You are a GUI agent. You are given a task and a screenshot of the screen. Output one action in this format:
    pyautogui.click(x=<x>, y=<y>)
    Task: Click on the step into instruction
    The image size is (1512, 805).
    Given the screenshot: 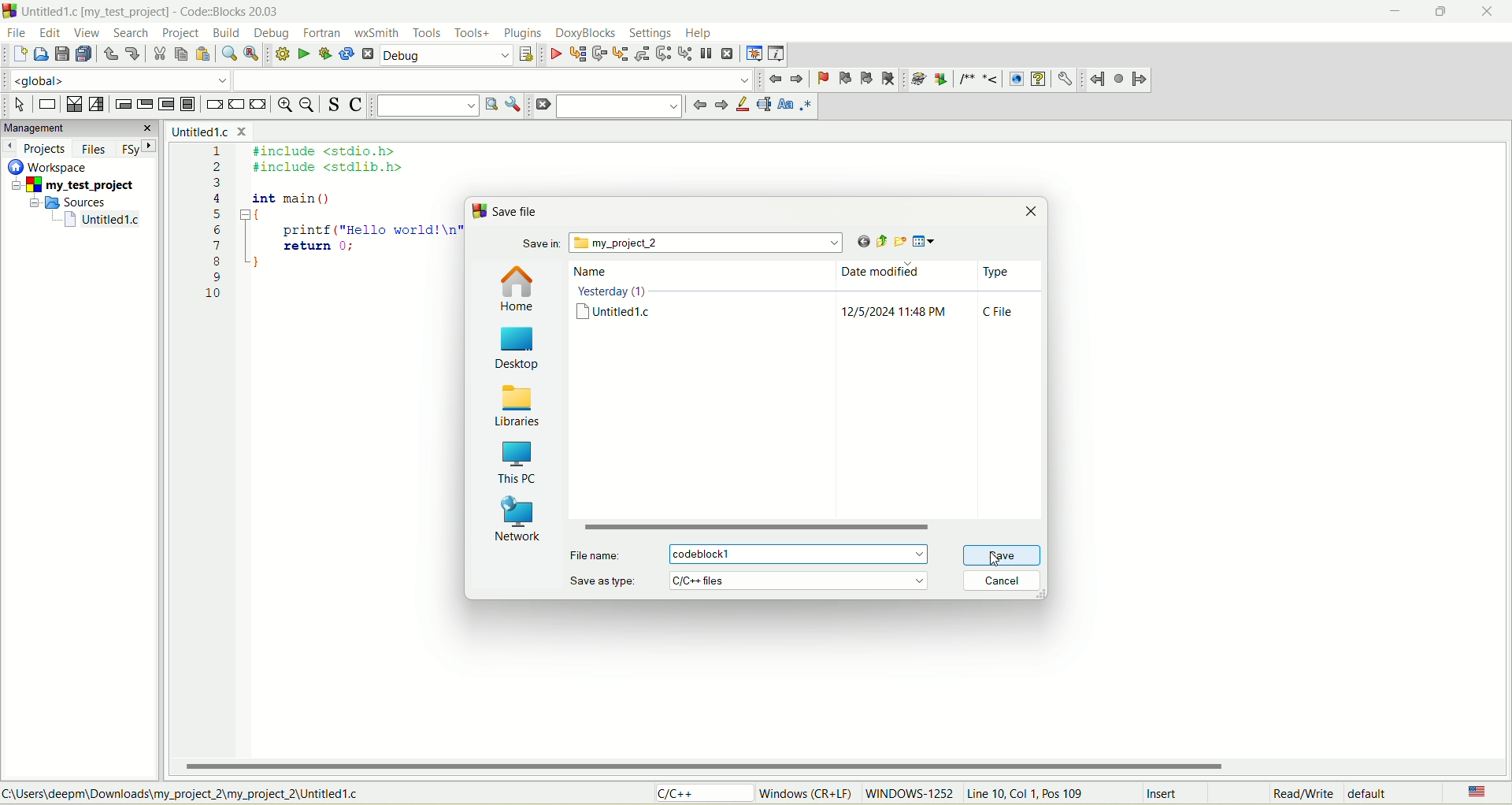 What is the action you would take?
    pyautogui.click(x=683, y=52)
    